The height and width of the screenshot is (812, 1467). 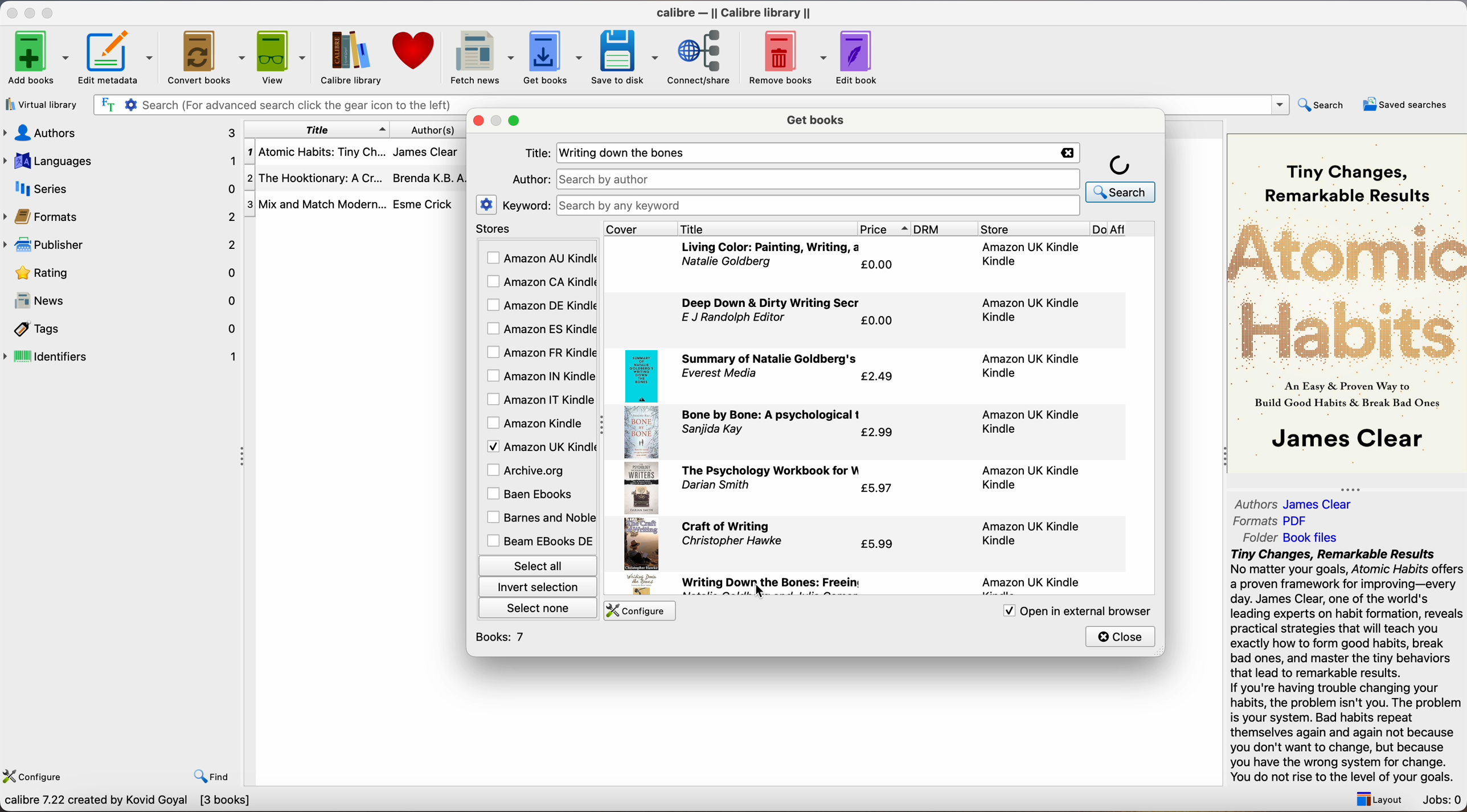 What do you see at coordinates (767, 228) in the screenshot?
I see `title` at bounding box center [767, 228].